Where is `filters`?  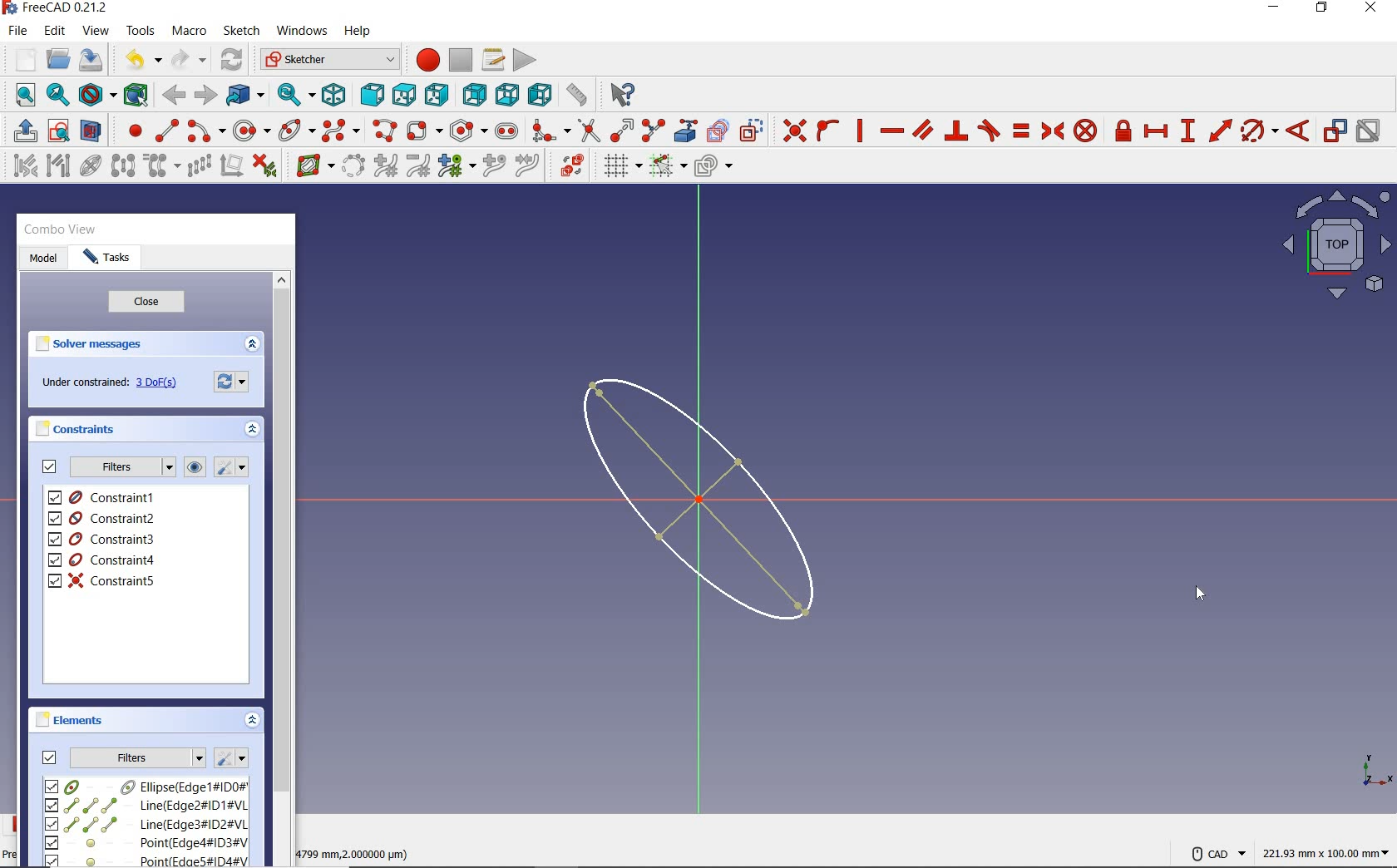 filters is located at coordinates (121, 467).